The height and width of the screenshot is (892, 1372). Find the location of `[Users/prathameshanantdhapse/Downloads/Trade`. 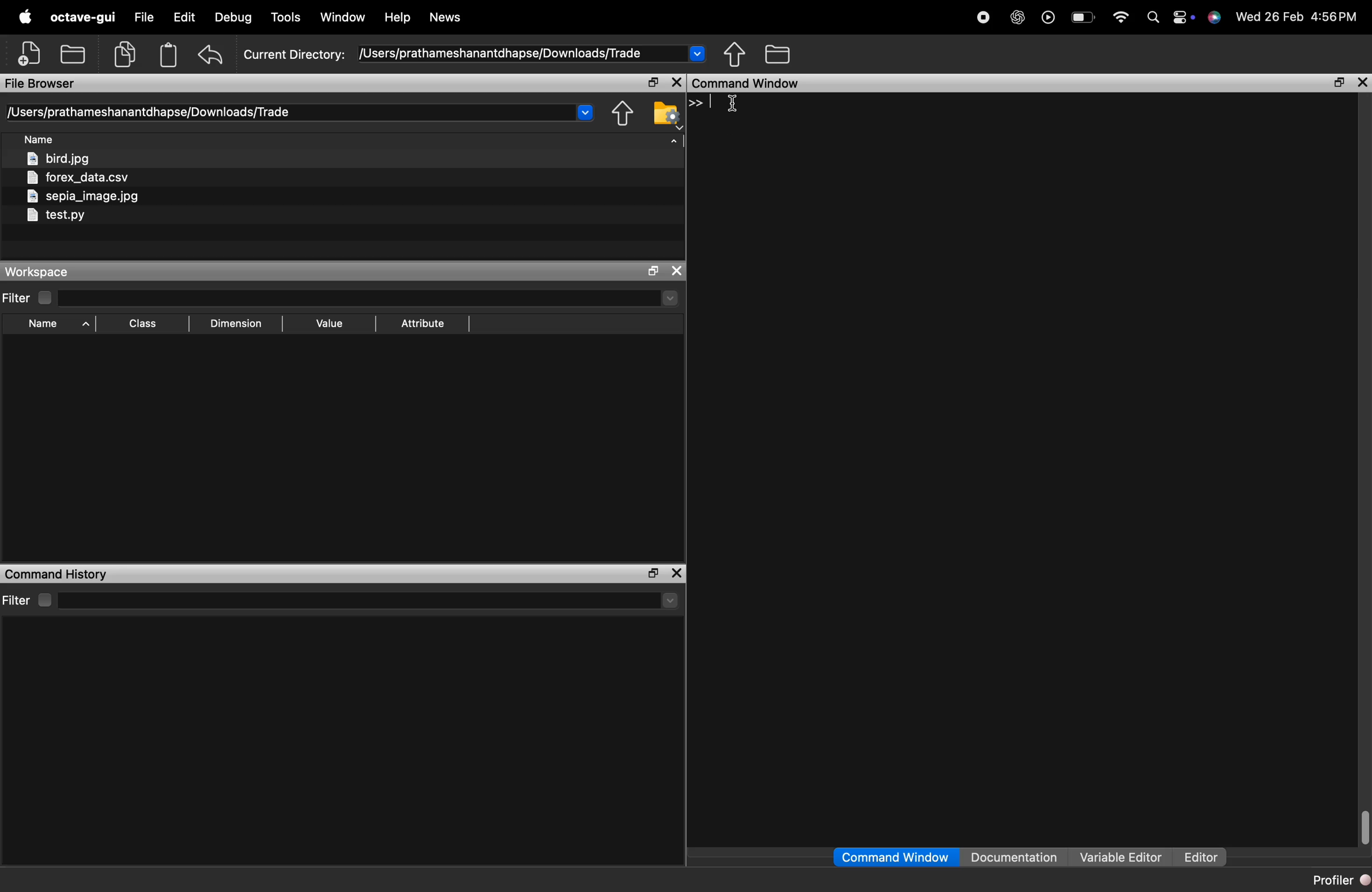

[Users/prathameshanantdhapse/Downloads/Trade is located at coordinates (147, 112).